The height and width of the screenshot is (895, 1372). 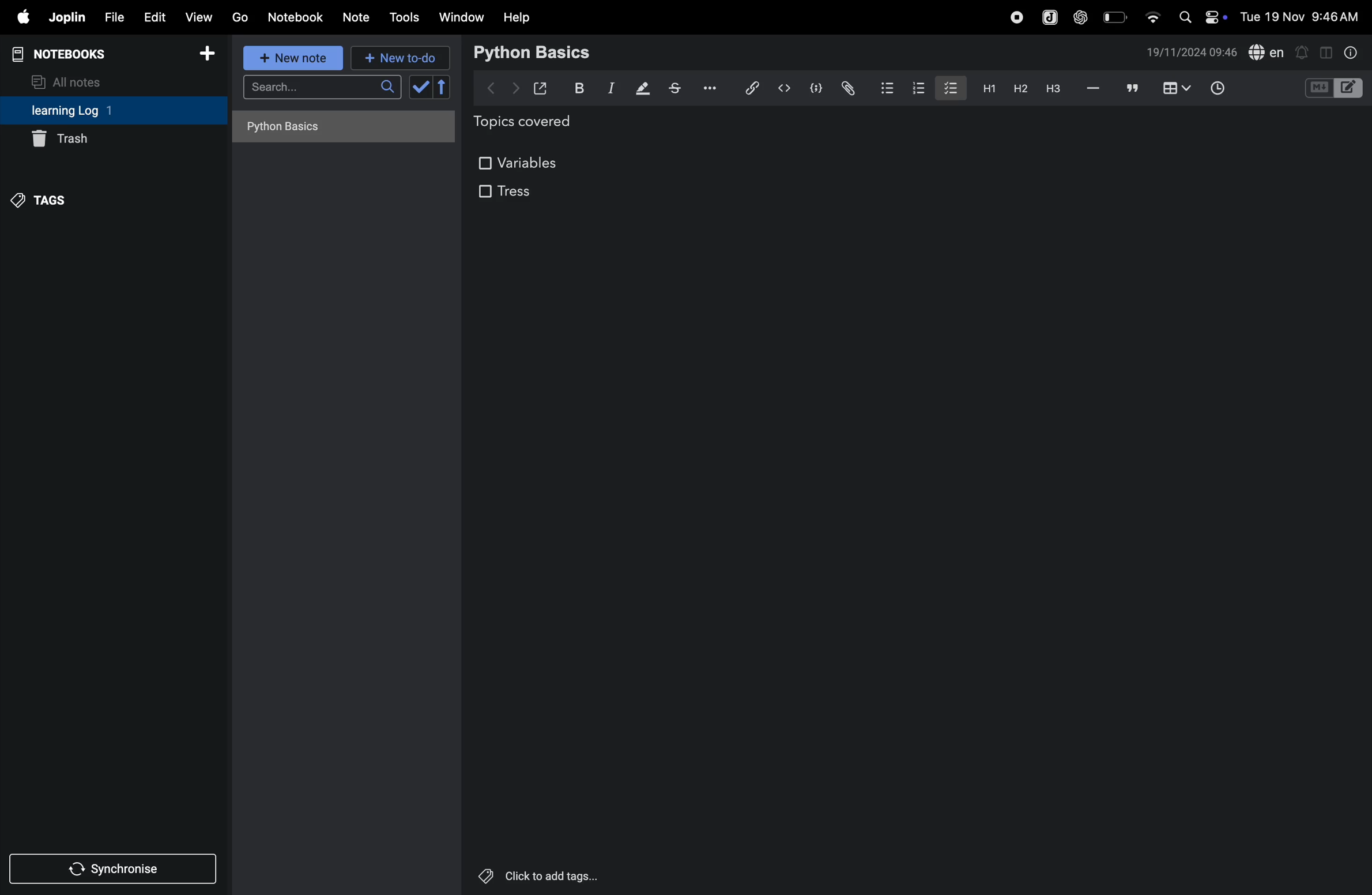 What do you see at coordinates (536, 123) in the screenshot?
I see `topics covered` at bounding box center [536, 123].